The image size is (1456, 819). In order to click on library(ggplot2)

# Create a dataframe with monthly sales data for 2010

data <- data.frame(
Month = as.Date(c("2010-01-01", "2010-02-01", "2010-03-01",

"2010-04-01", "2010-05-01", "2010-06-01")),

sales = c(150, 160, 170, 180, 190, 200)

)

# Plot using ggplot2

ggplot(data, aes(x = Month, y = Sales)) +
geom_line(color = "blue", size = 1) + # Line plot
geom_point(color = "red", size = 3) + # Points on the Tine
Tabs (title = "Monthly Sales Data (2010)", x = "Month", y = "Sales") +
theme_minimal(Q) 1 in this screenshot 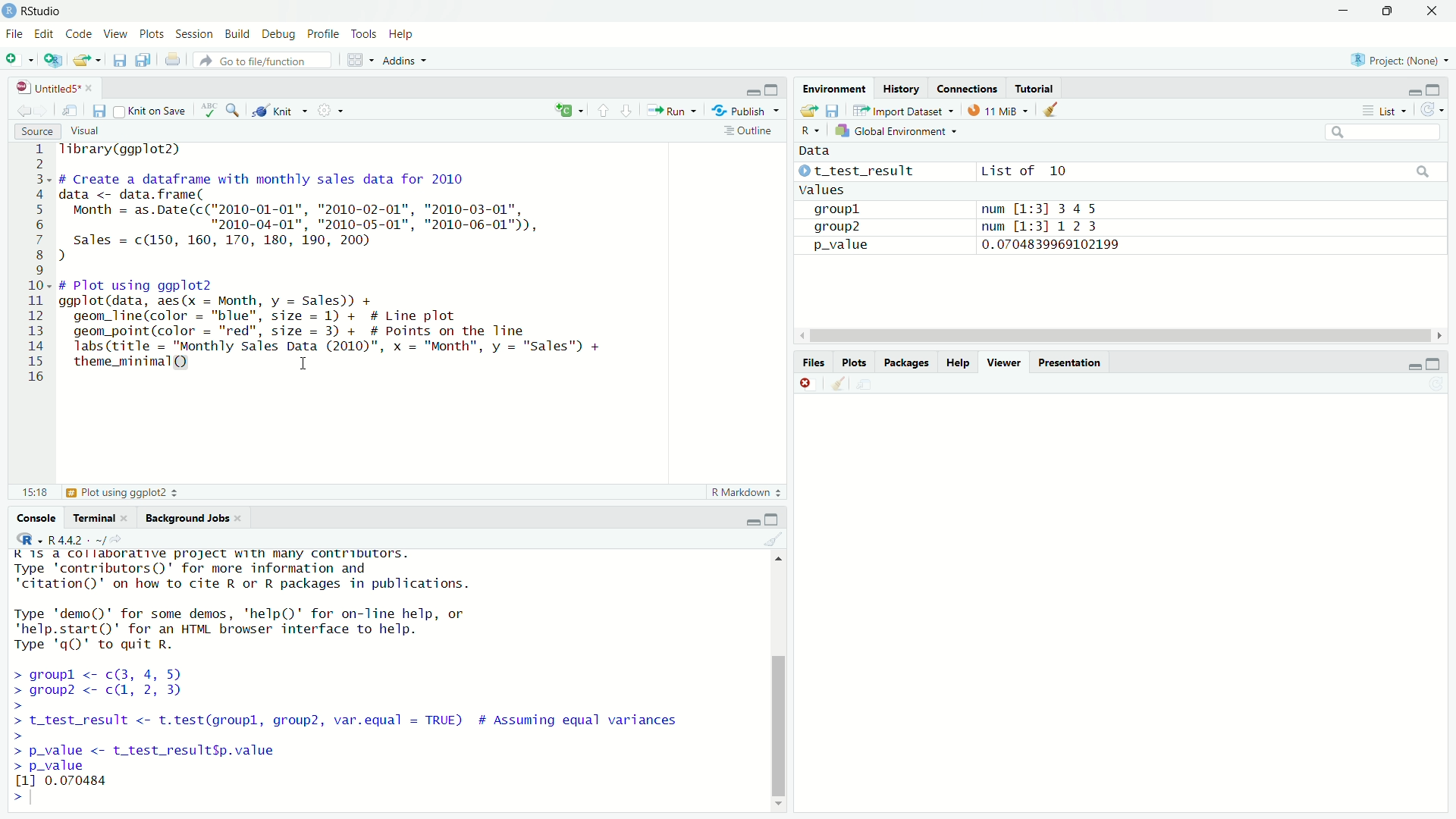, I will do `click(418, 265)`.